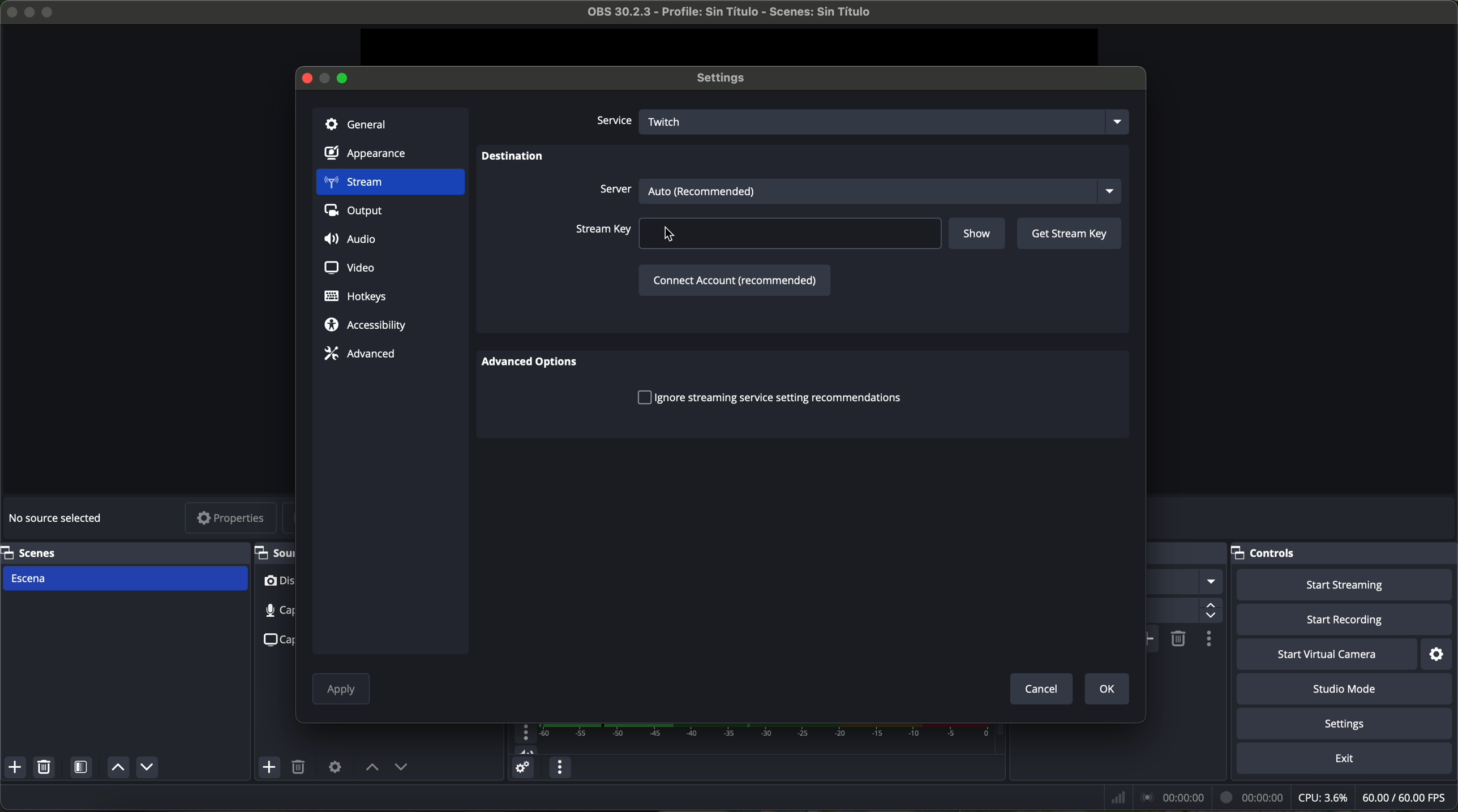 The image size is (1458, 812). Describe the element at coordinates (719, 14) in the screenshot. I see `file name` at that location.